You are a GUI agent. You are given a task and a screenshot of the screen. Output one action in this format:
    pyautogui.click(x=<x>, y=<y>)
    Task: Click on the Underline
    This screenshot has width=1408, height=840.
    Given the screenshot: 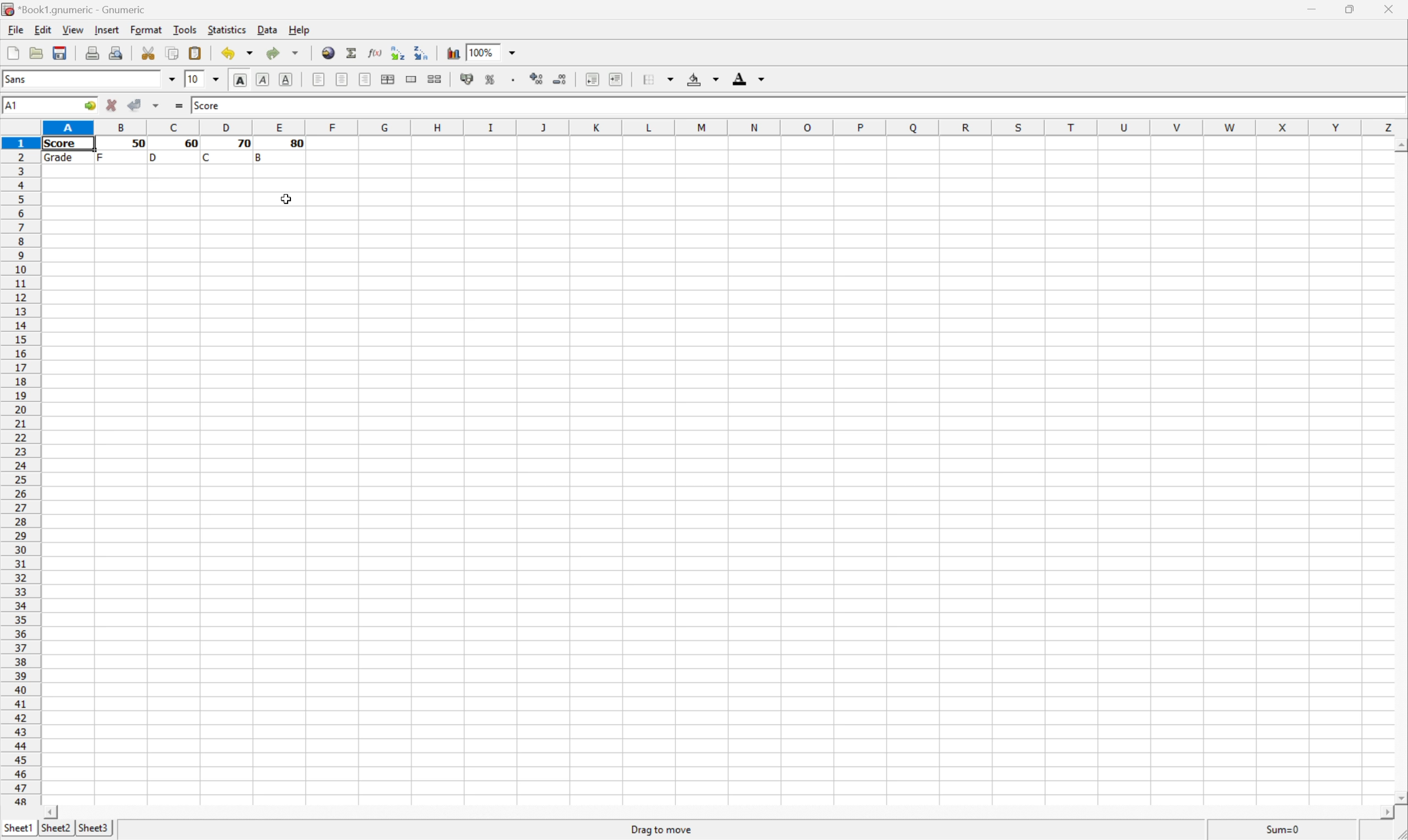 What is the action you would take?
    pyautogui.click(x=284, y=80)
    